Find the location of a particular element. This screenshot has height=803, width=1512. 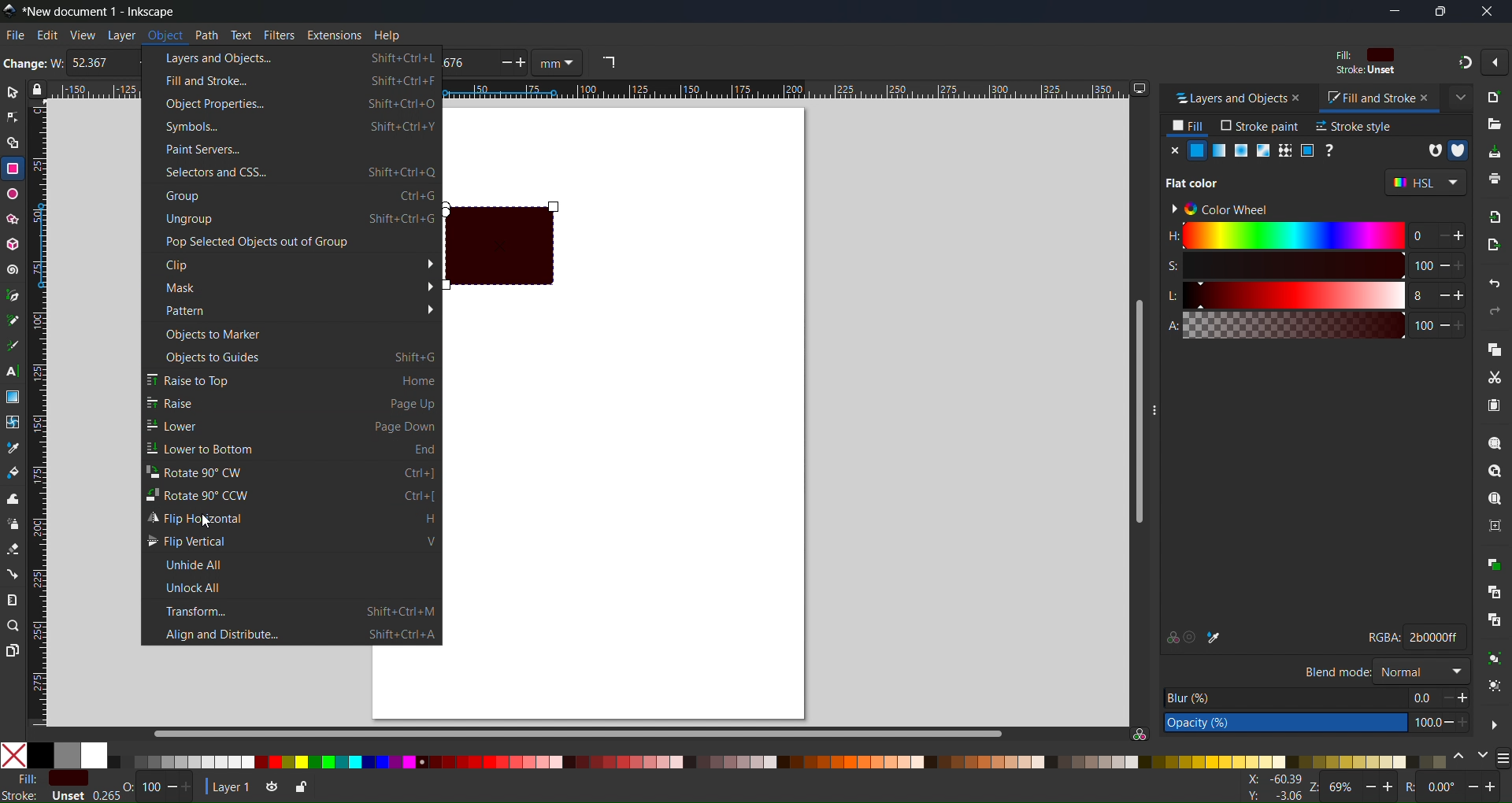

Create clone is located at coordinates (1494, 590).